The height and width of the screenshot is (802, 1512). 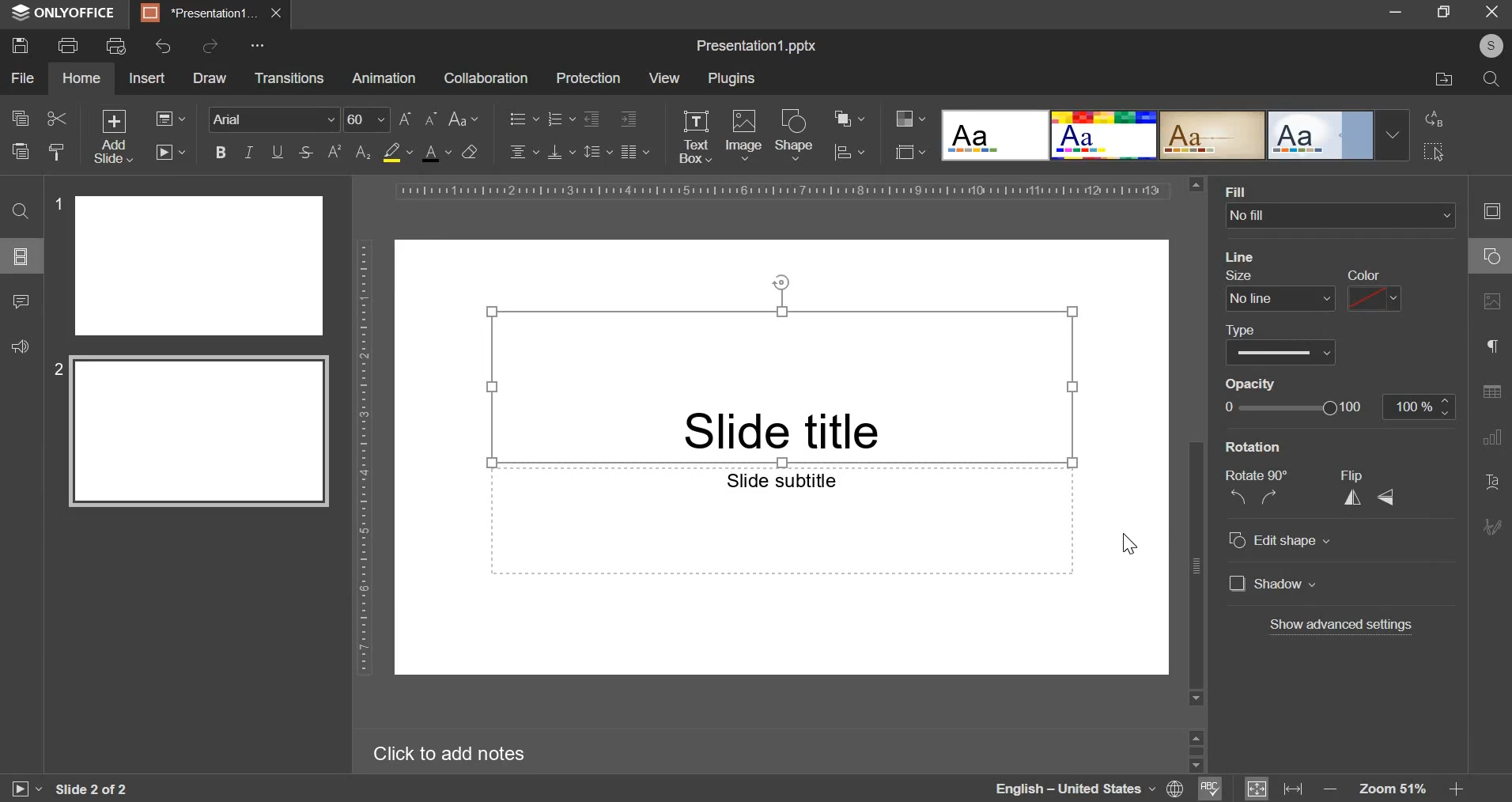 What do you see at coordinates (81, 78) in the screenshot?
I see `home` at bounding box center [81, 78].